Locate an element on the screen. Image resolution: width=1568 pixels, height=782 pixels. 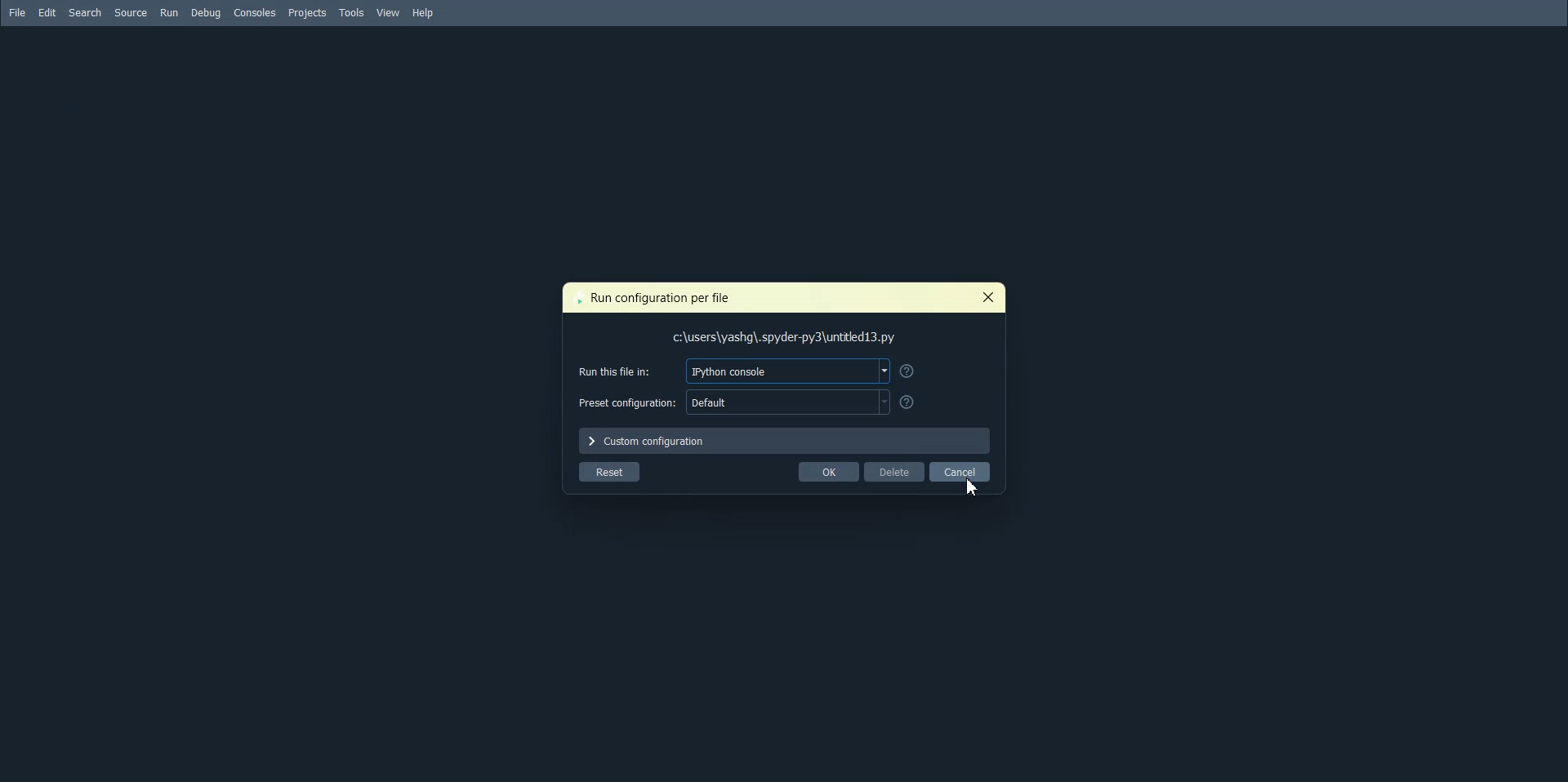
Console is located at coordinates (255, 12).